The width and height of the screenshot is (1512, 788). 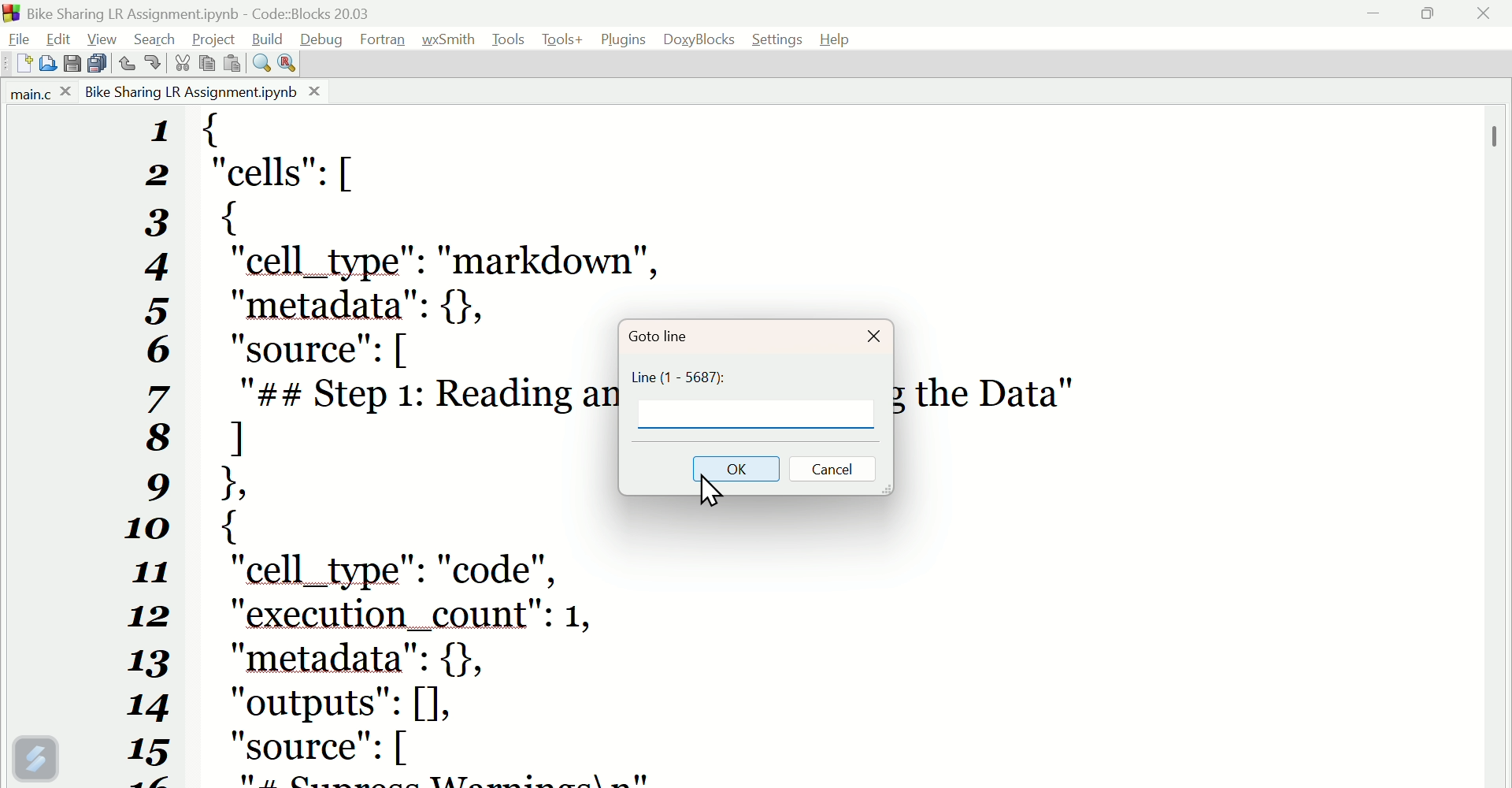 I want to click on Undo, so click(x=128, y=63).